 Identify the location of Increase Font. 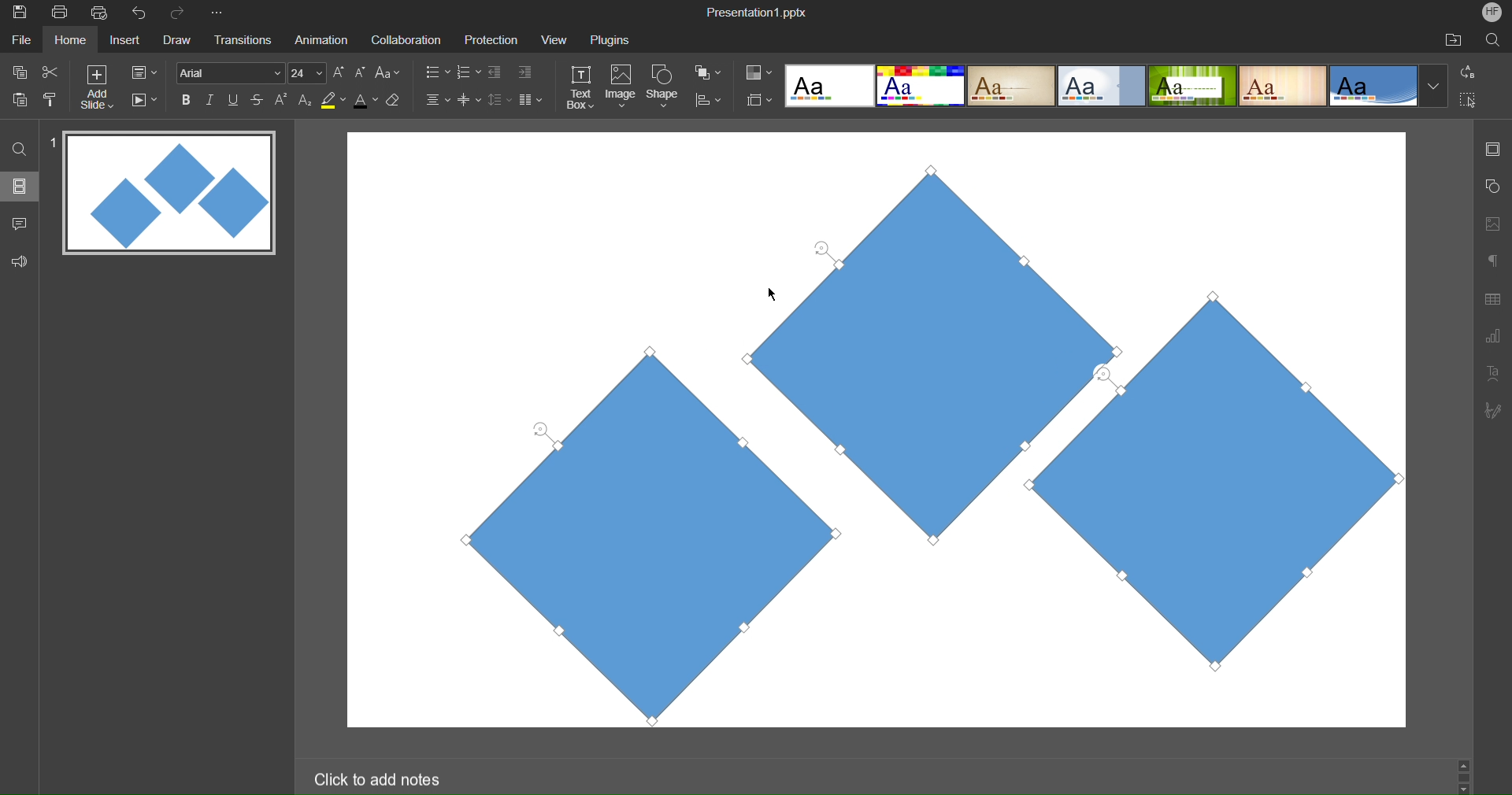
(339, 72).